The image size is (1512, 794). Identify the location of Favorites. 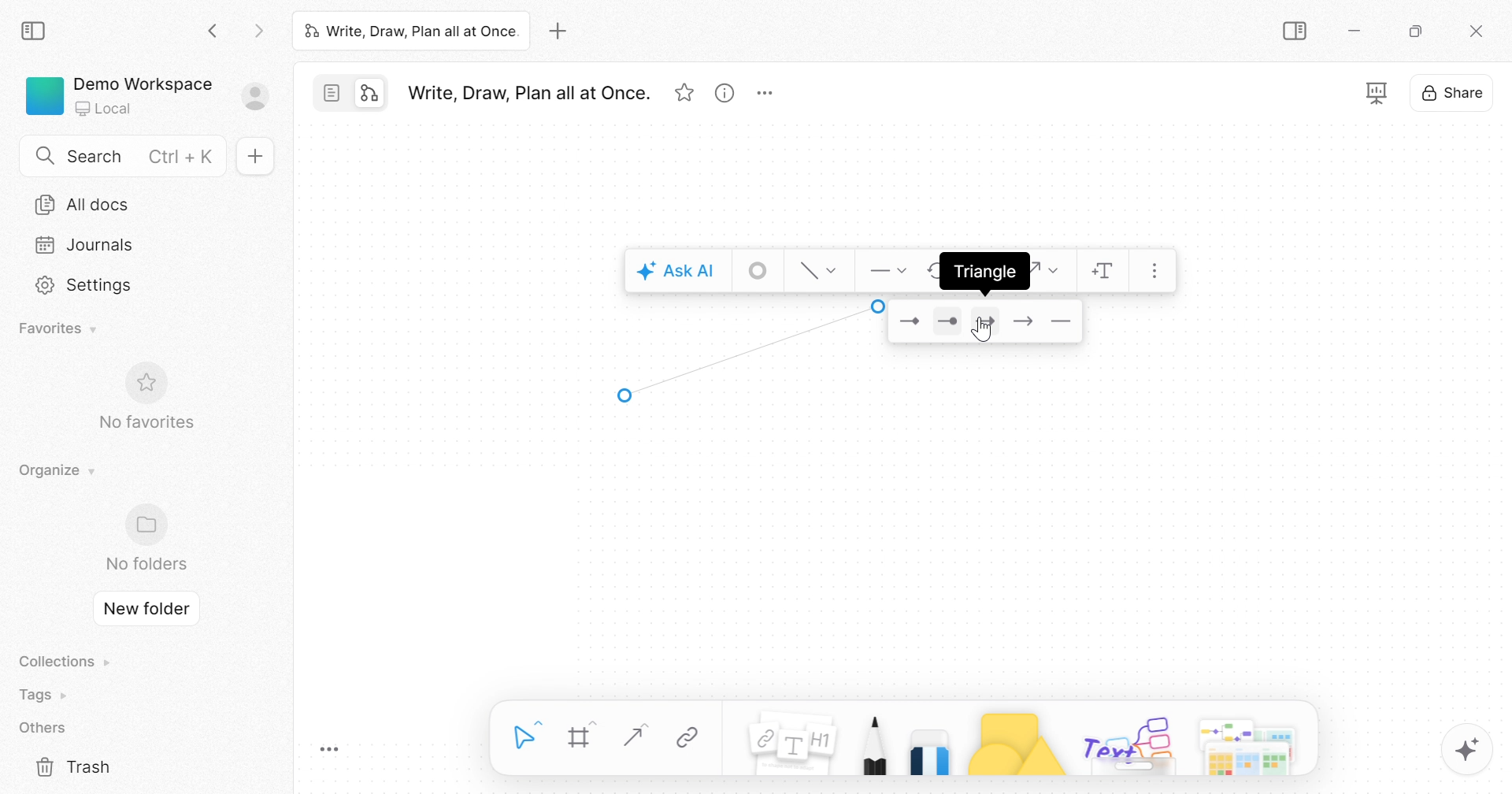
(61, 327).